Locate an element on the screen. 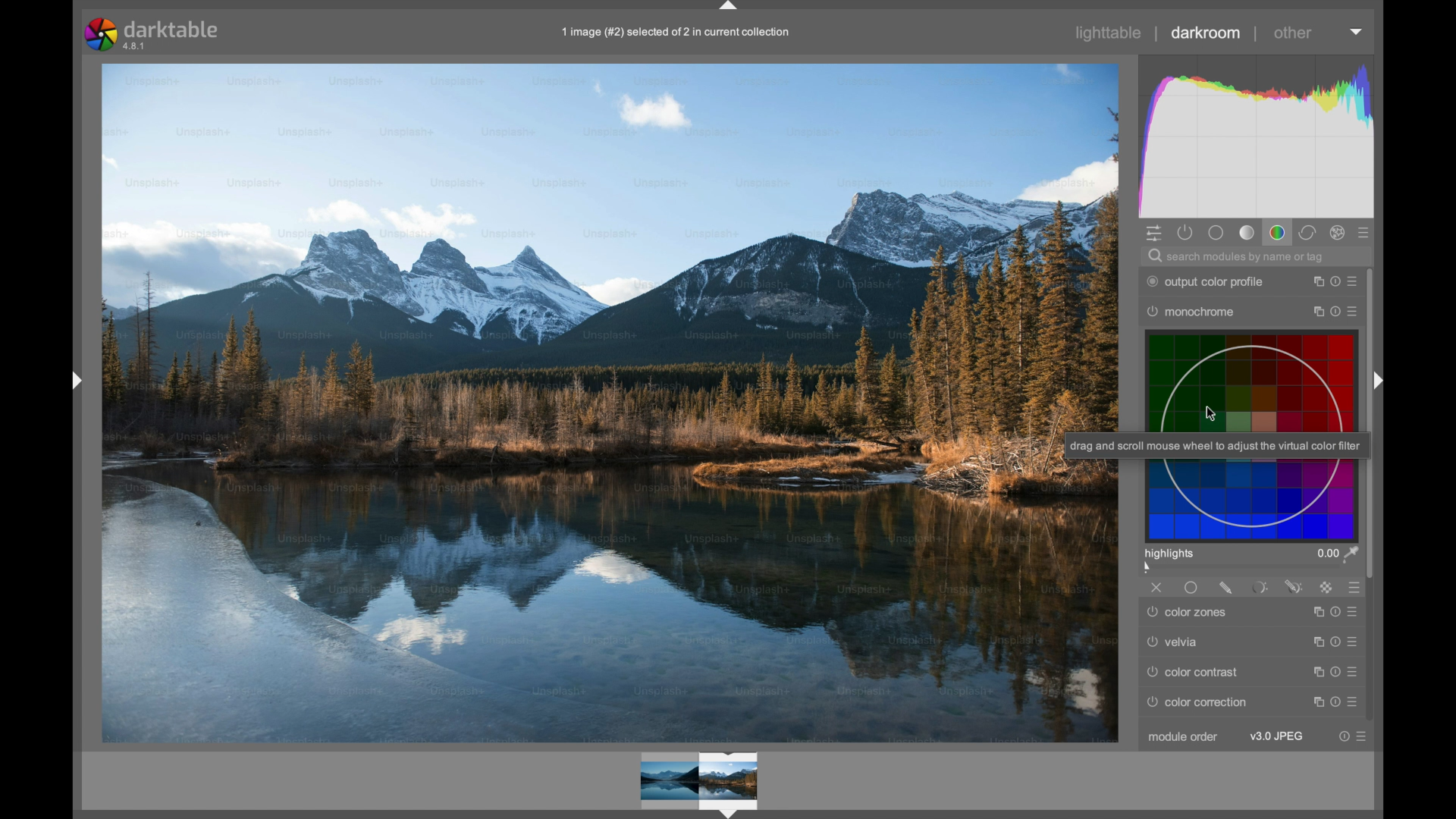  presets is located at coordinates (1356, 613).